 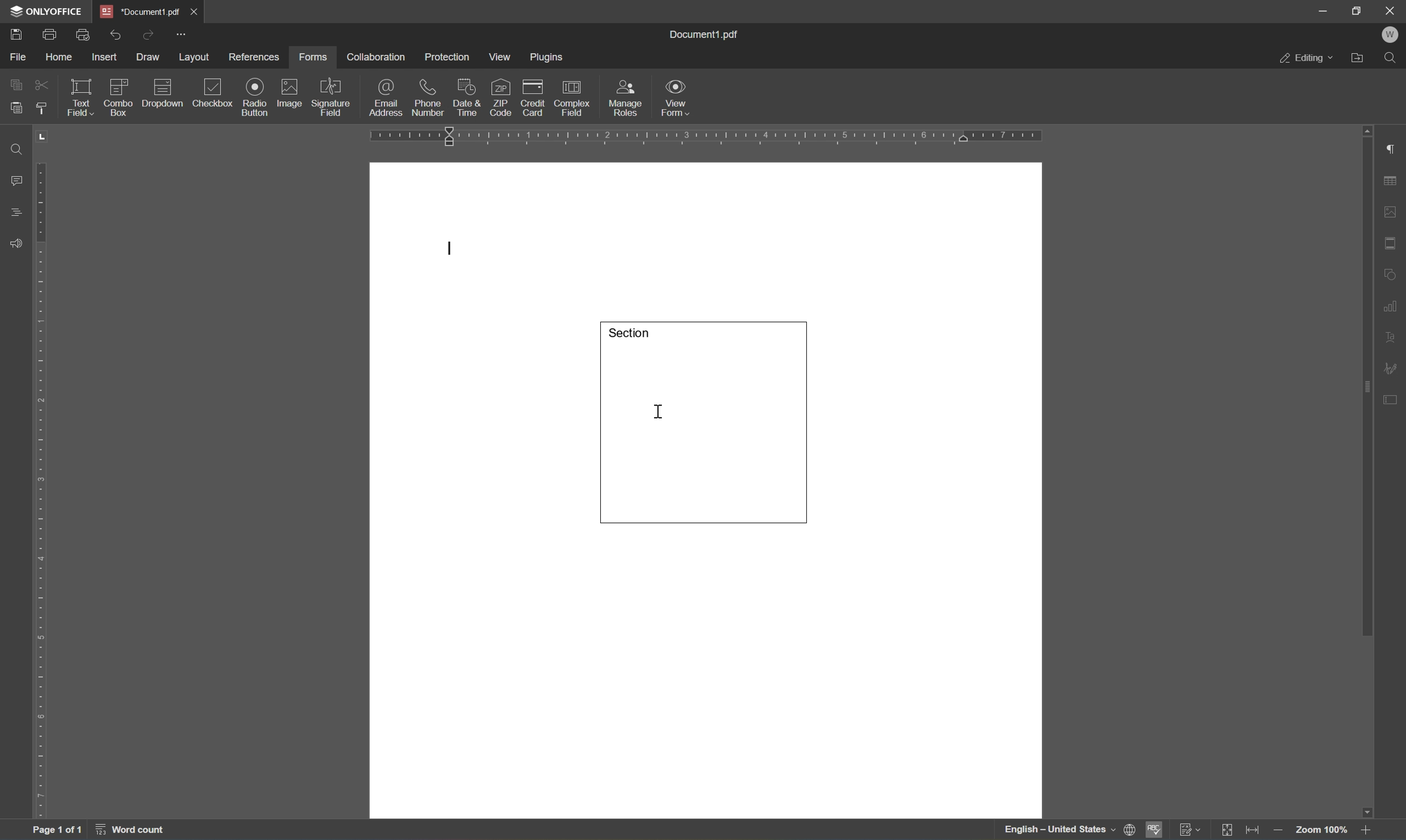 What do you see at coordinates (1394, 398) in the screenshot?
I see `form settings` at bounding box center [1394, 398].